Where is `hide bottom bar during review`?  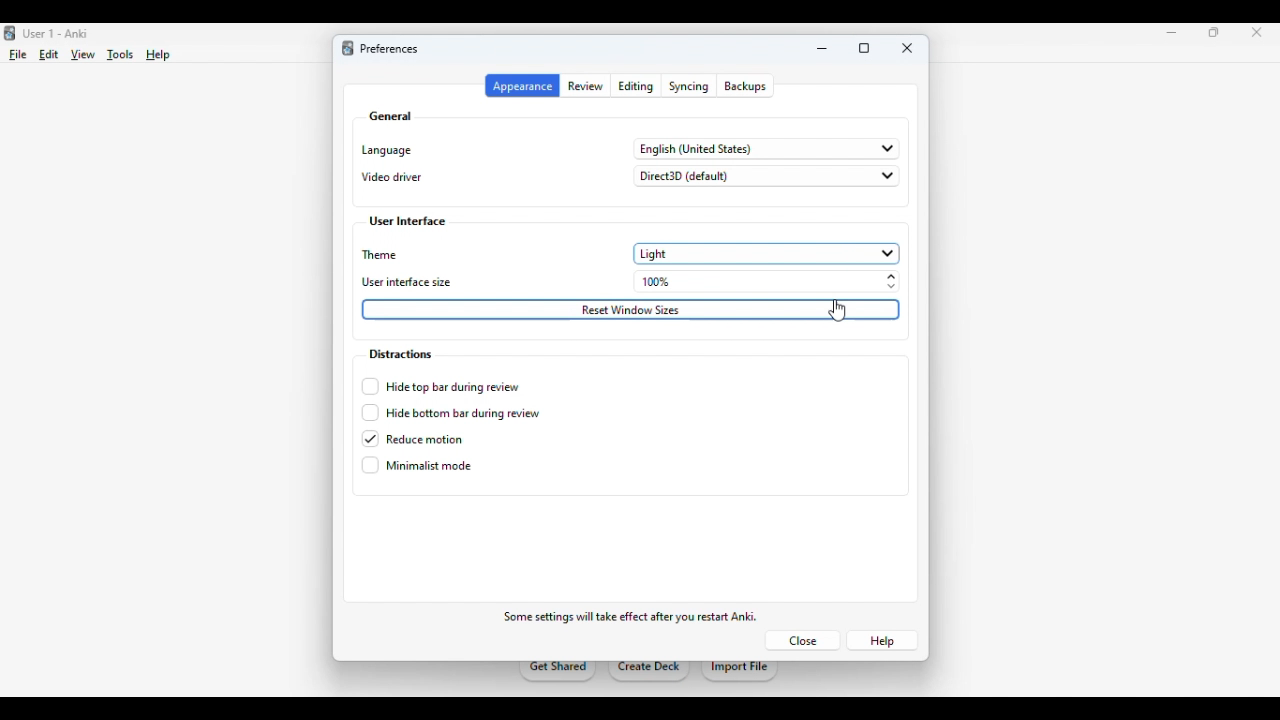
hide bottom bar during review is located at coordinates (450, 413).